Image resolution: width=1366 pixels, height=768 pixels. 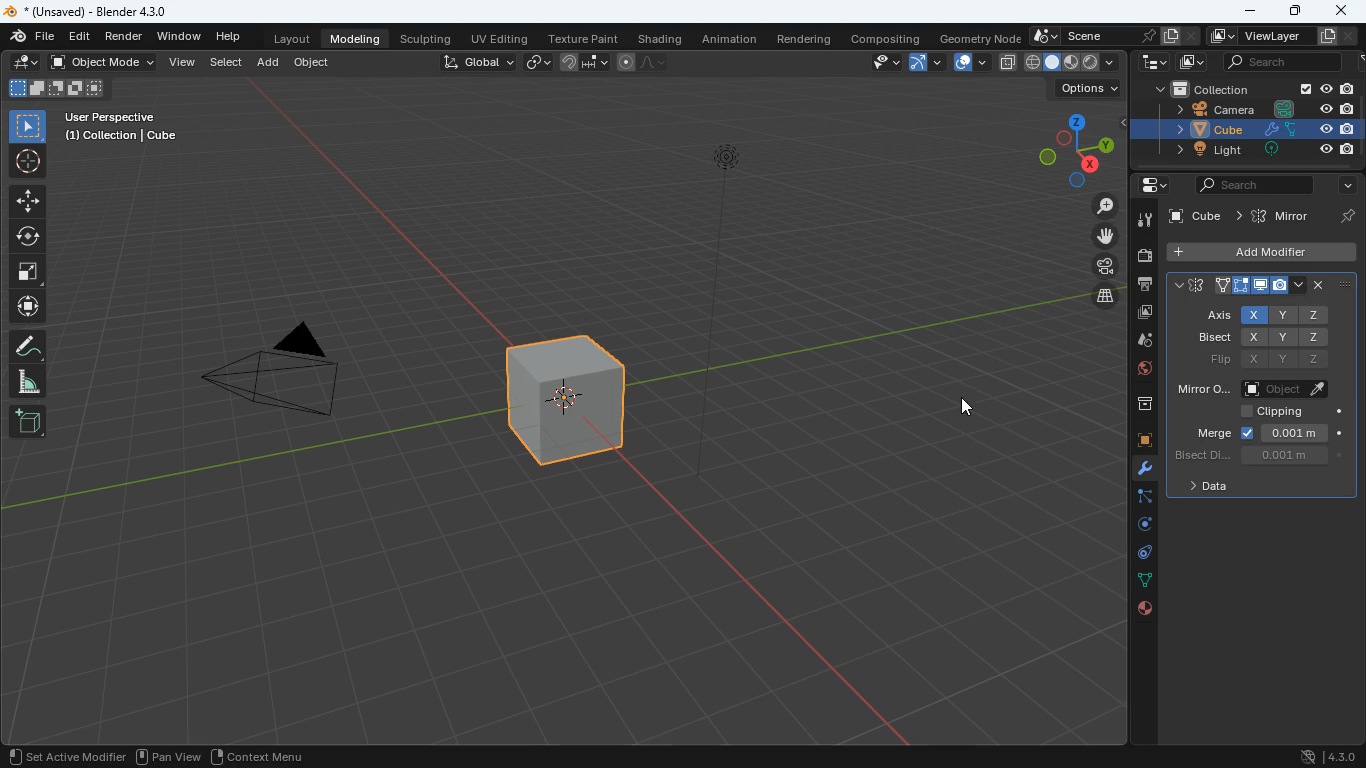 What do you see at coordinates (925, 62) in the screenshot?
I see `arc` at bounding box center [925, 62].